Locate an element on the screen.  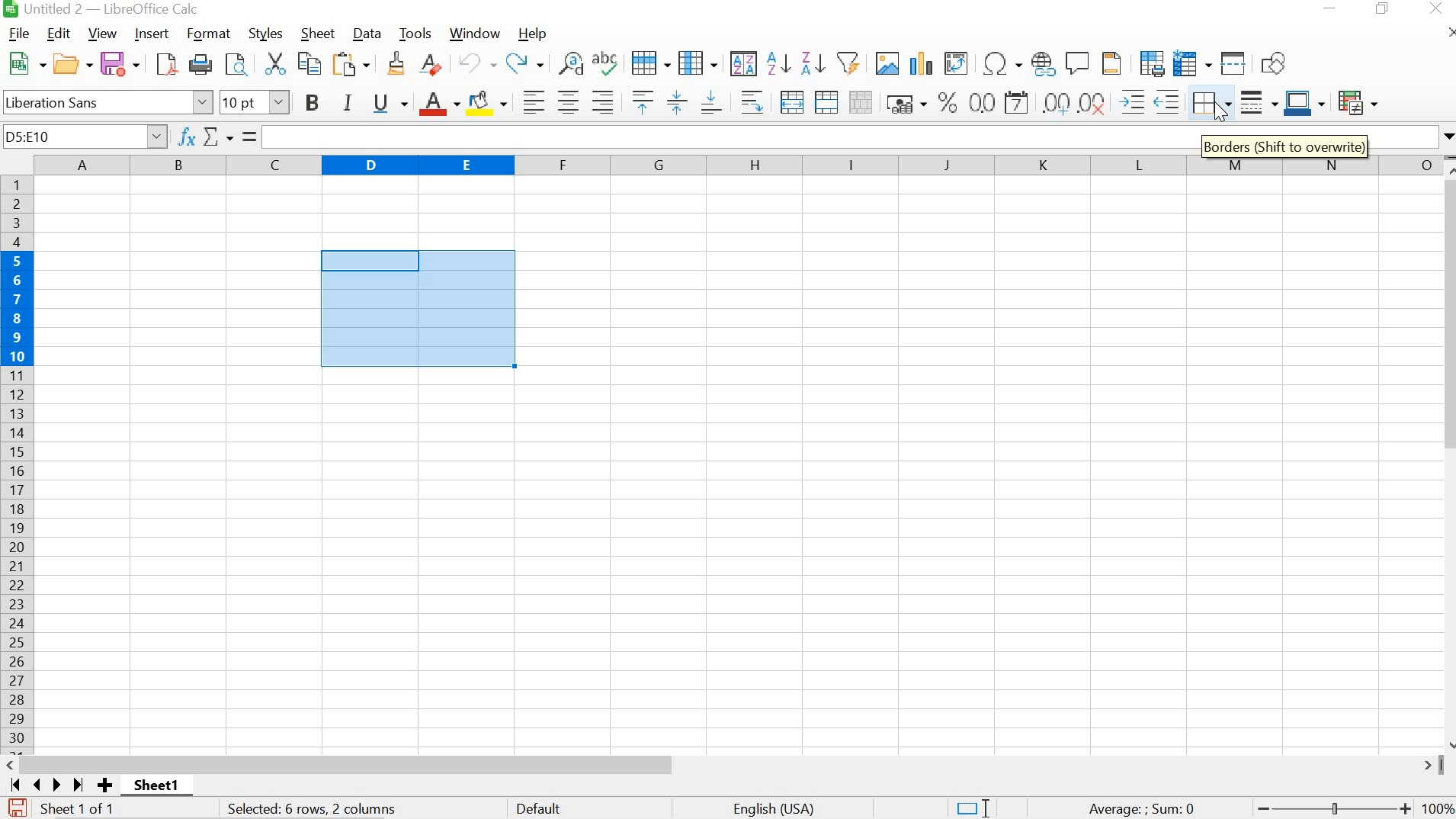
MERGE AND CENTER OR UNMERGE CELLS DEPENDING ON THE CURRENT TOGGLE STATE is located at coordinates (793, 101).